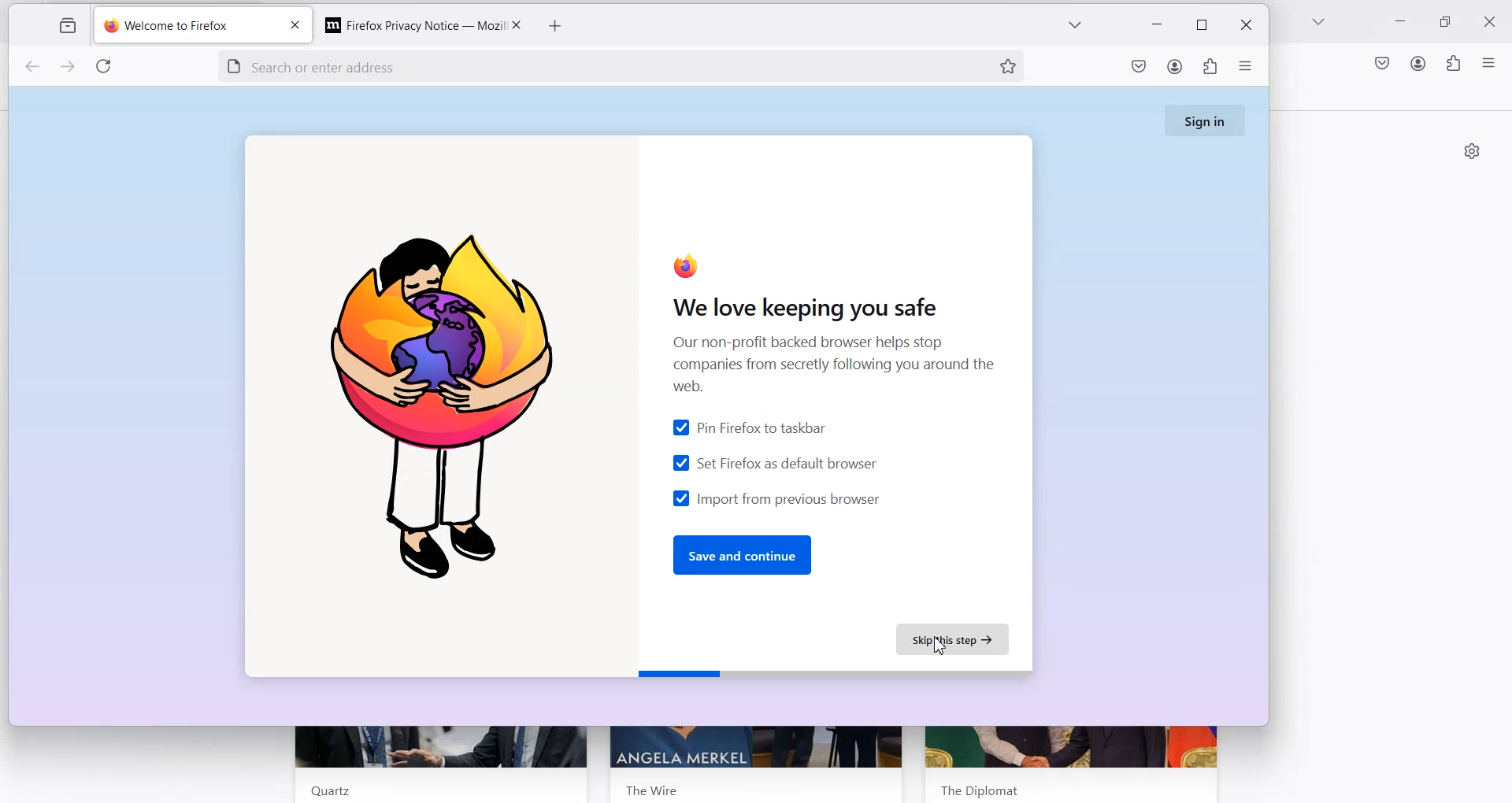 Image resolution: width=1512 pixels, height=803 pixels. I want to click on Save and continue, so click(745, 555).